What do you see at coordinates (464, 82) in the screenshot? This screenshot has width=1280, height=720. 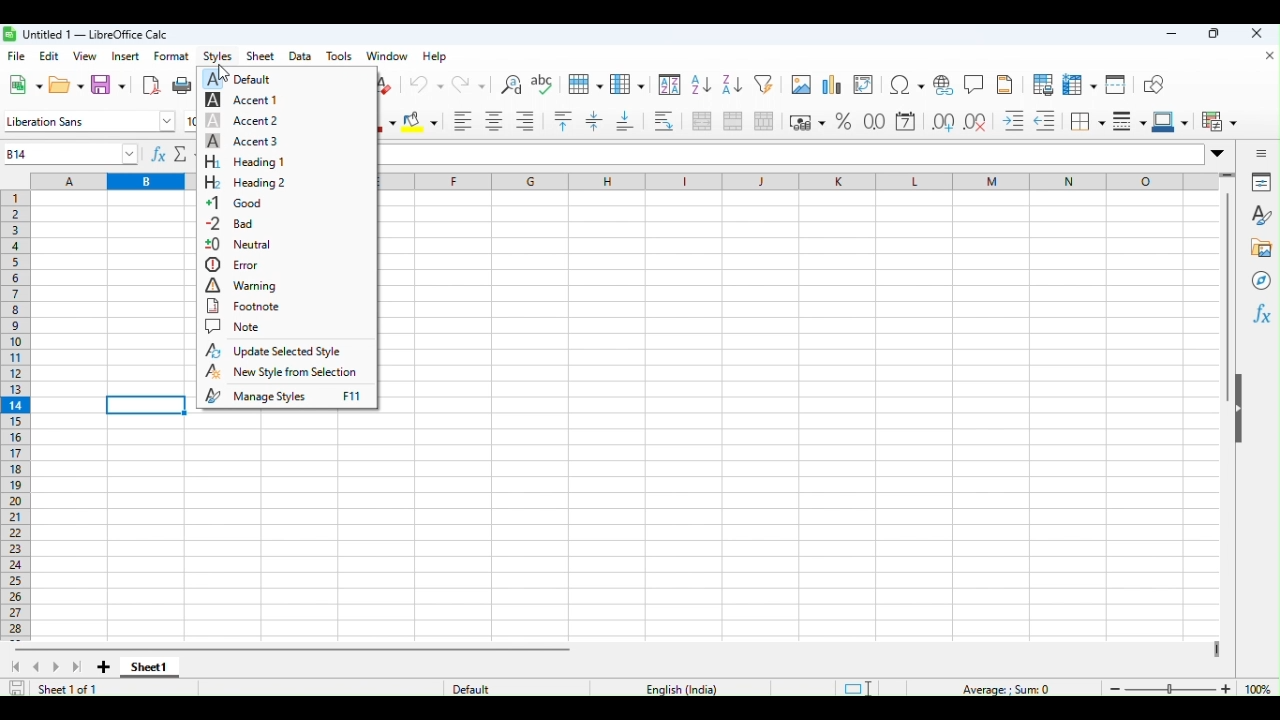 I see `redo red` at bounding box center [464, 82].